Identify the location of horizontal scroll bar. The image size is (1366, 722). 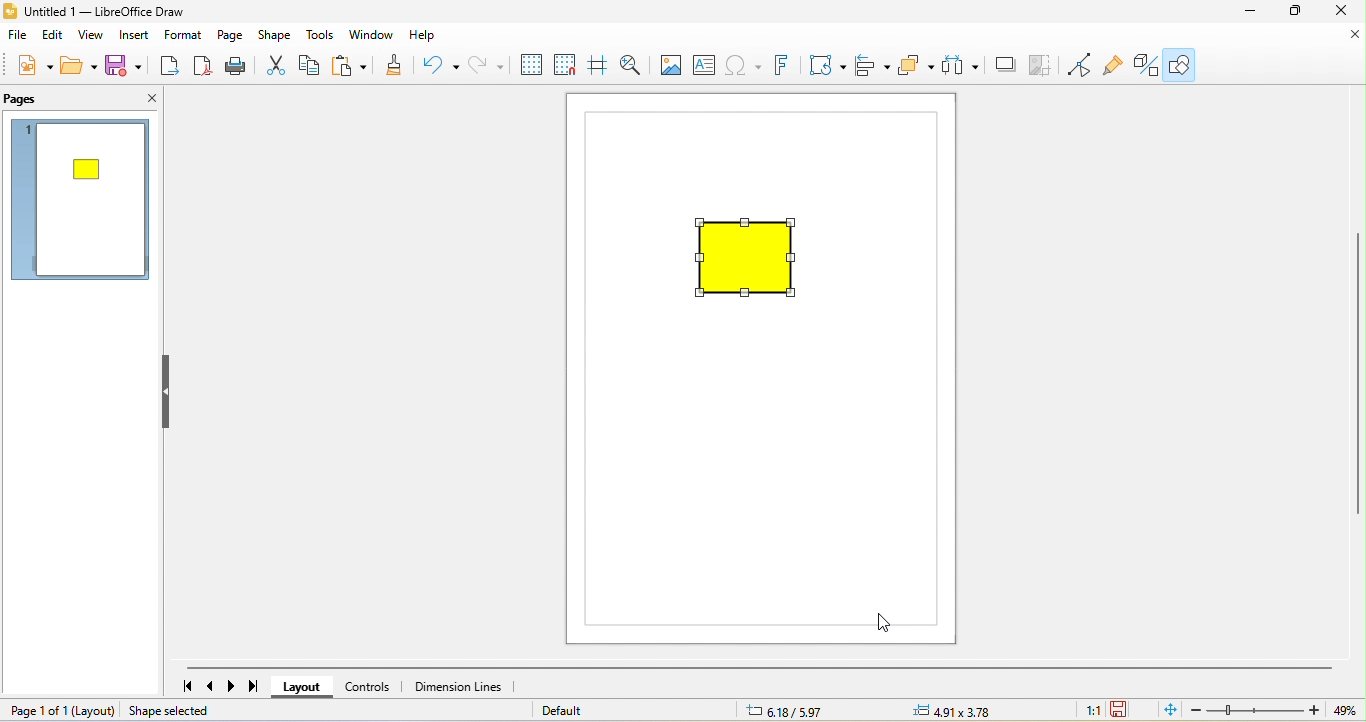
(760, 664).